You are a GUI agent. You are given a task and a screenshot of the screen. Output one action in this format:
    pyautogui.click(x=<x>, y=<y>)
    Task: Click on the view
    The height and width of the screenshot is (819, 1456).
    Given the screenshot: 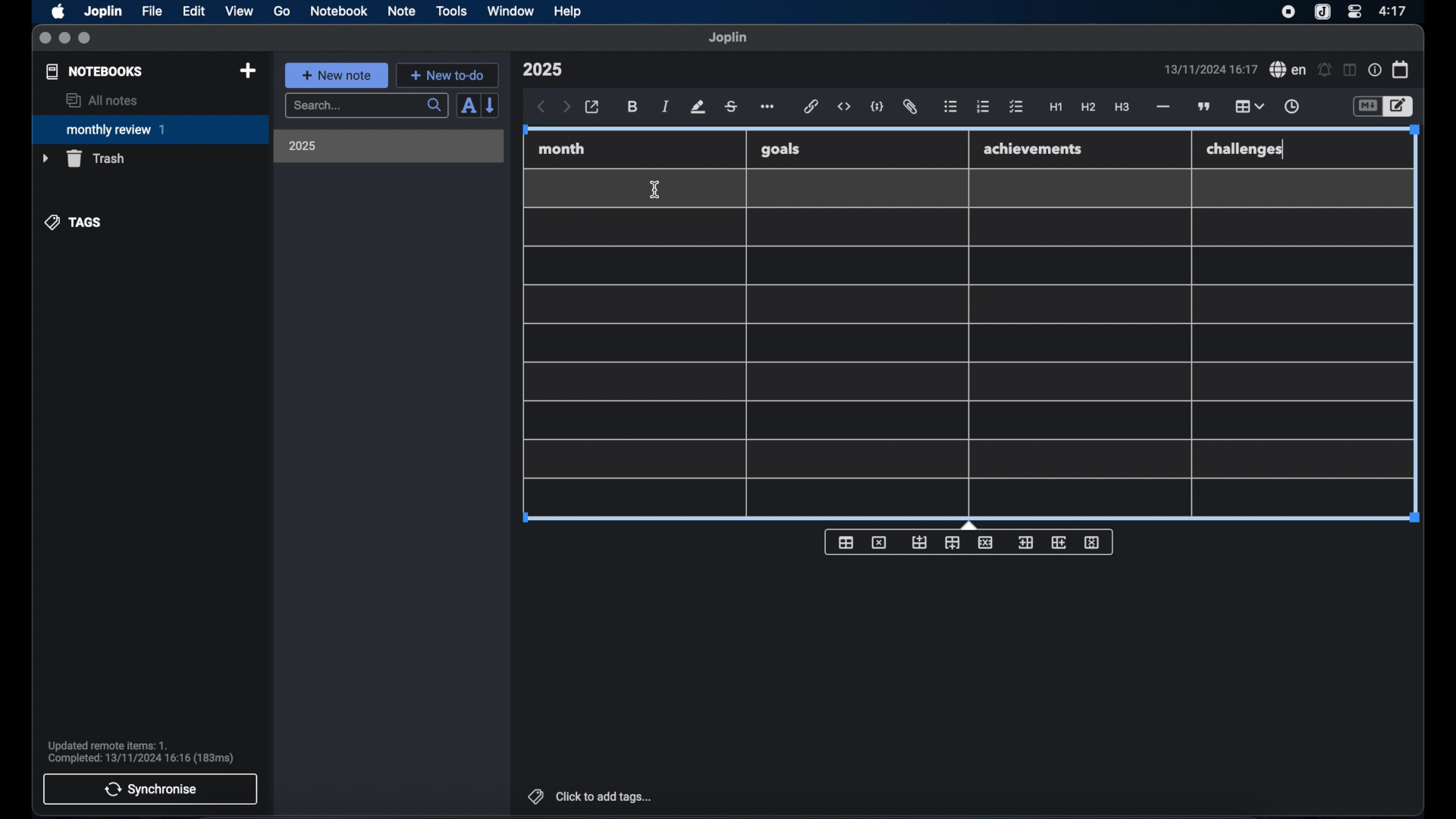 What is the action you would take?
    pyautogui.click(x=239, y=11)
    